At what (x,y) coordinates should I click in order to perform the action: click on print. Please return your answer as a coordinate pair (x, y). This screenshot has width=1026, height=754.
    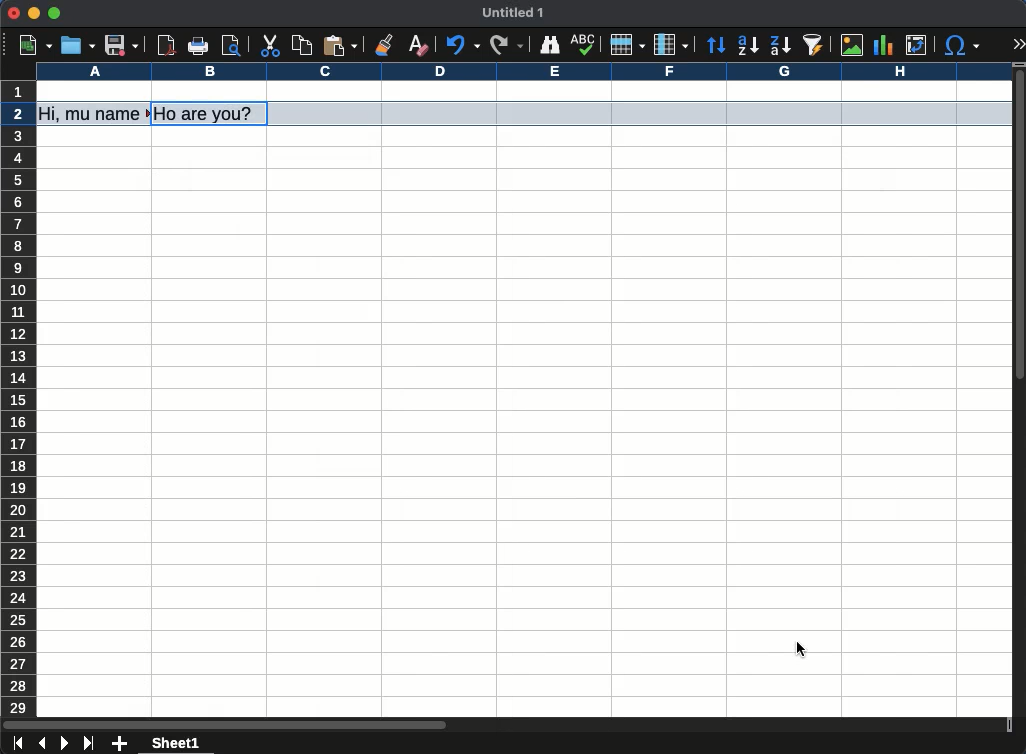
    Looking at the image, I should click on (199, 45).